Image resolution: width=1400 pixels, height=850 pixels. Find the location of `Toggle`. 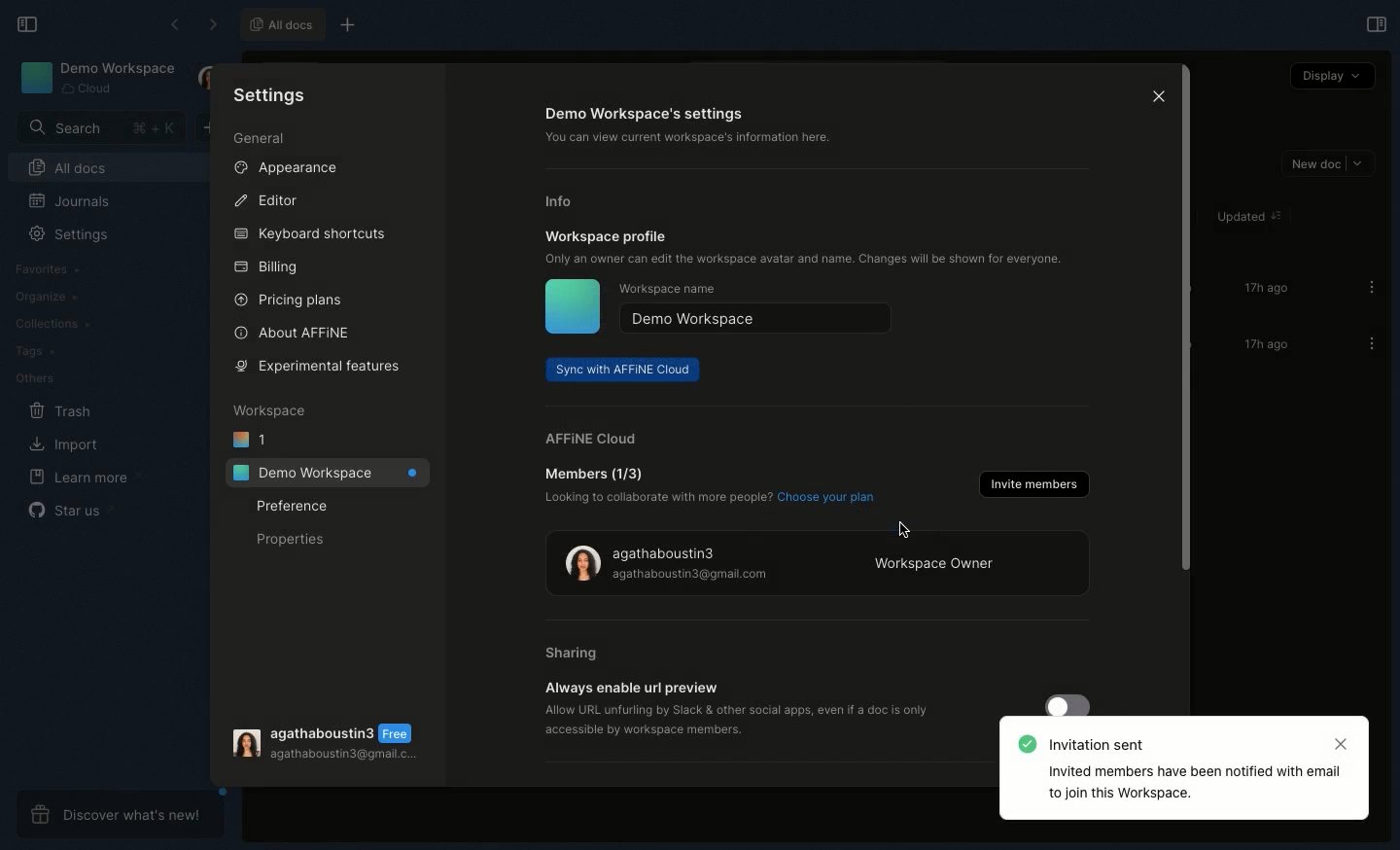

Toggle is located at coordinates (1072, 704).